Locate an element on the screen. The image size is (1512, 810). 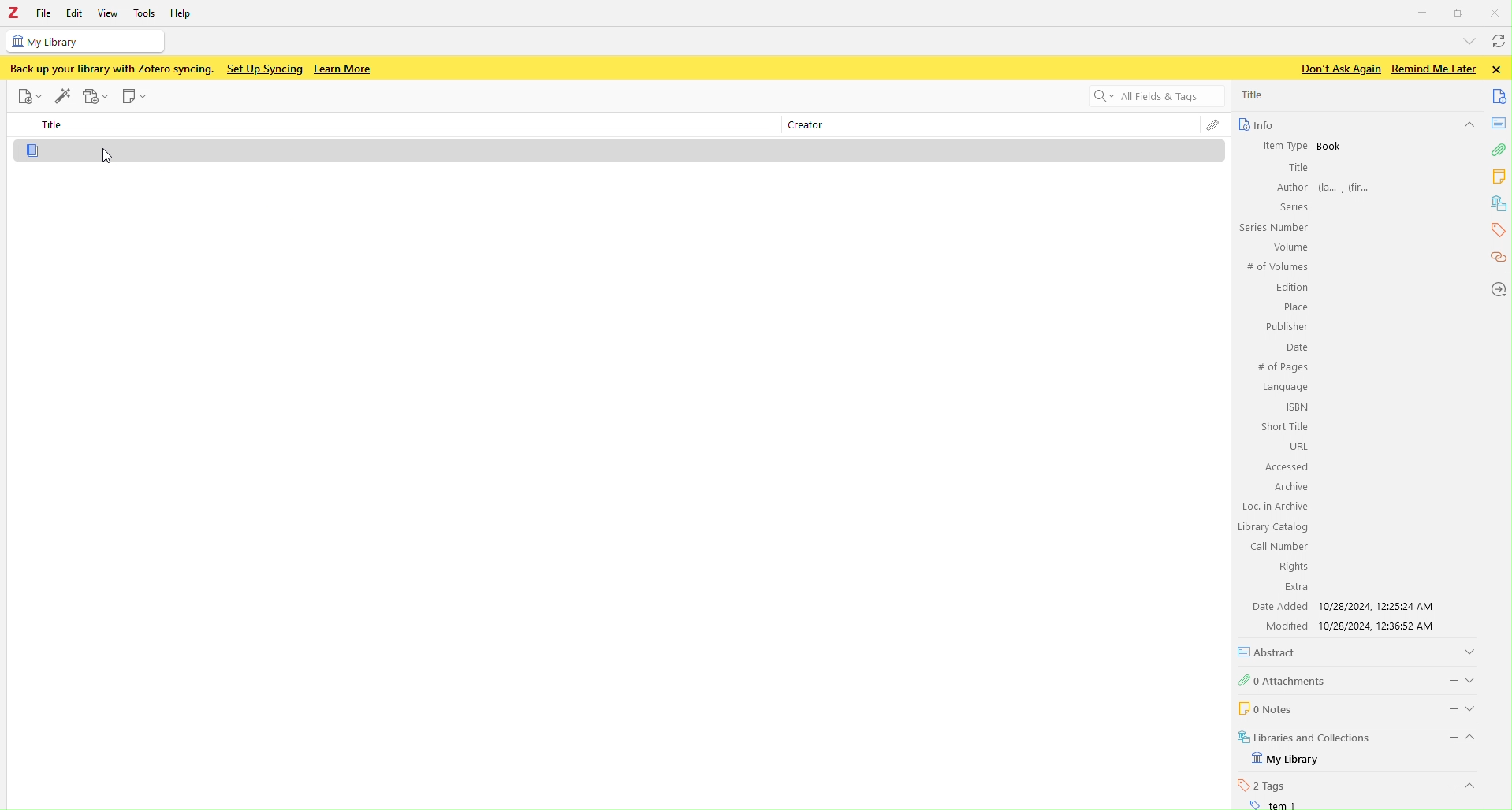
Help is located at coordinates (185, 15).